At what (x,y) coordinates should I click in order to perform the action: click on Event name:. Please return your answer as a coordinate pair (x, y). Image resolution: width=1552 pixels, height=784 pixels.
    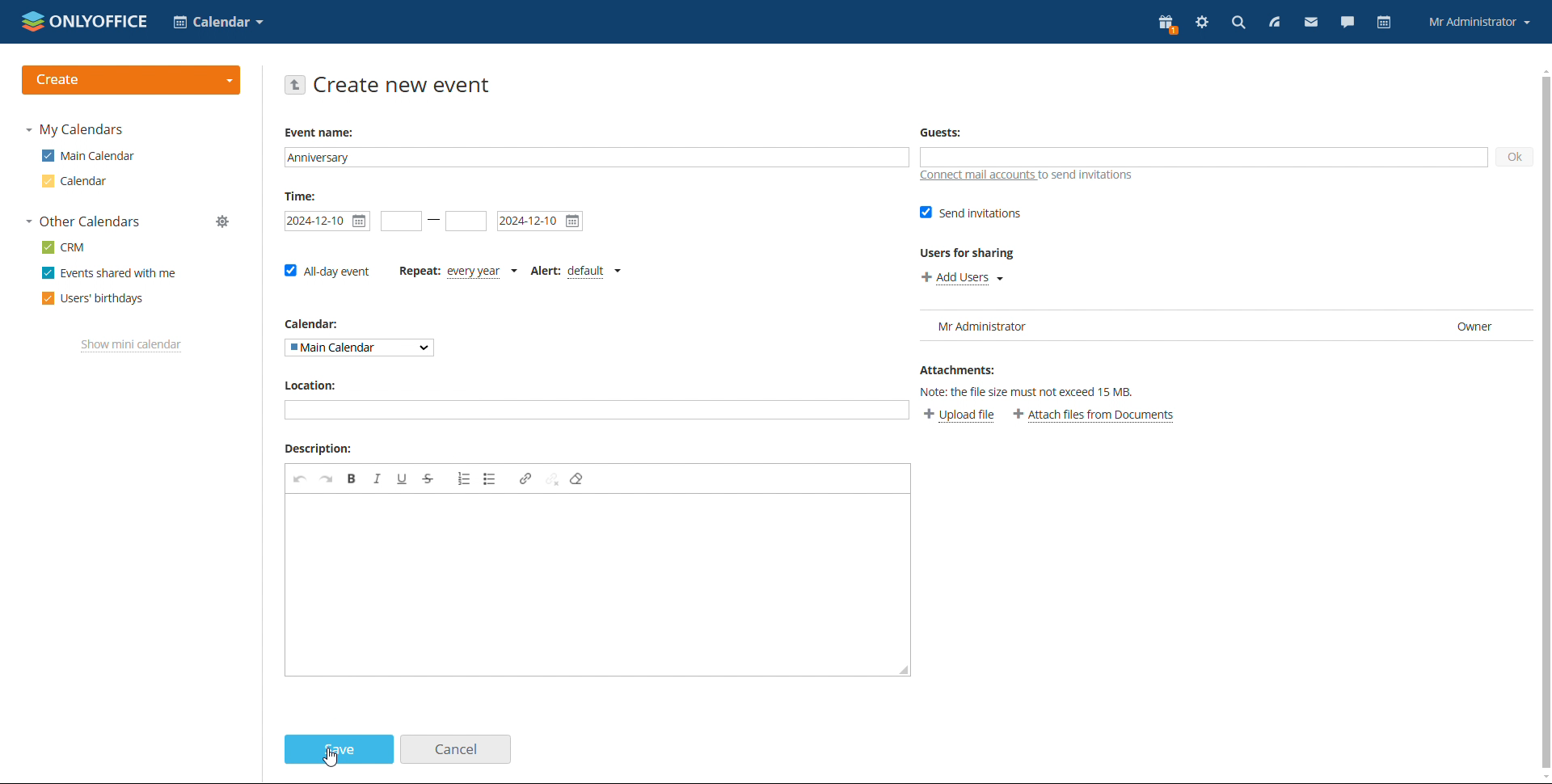
    Looking at the image, I should click on (317, 132).